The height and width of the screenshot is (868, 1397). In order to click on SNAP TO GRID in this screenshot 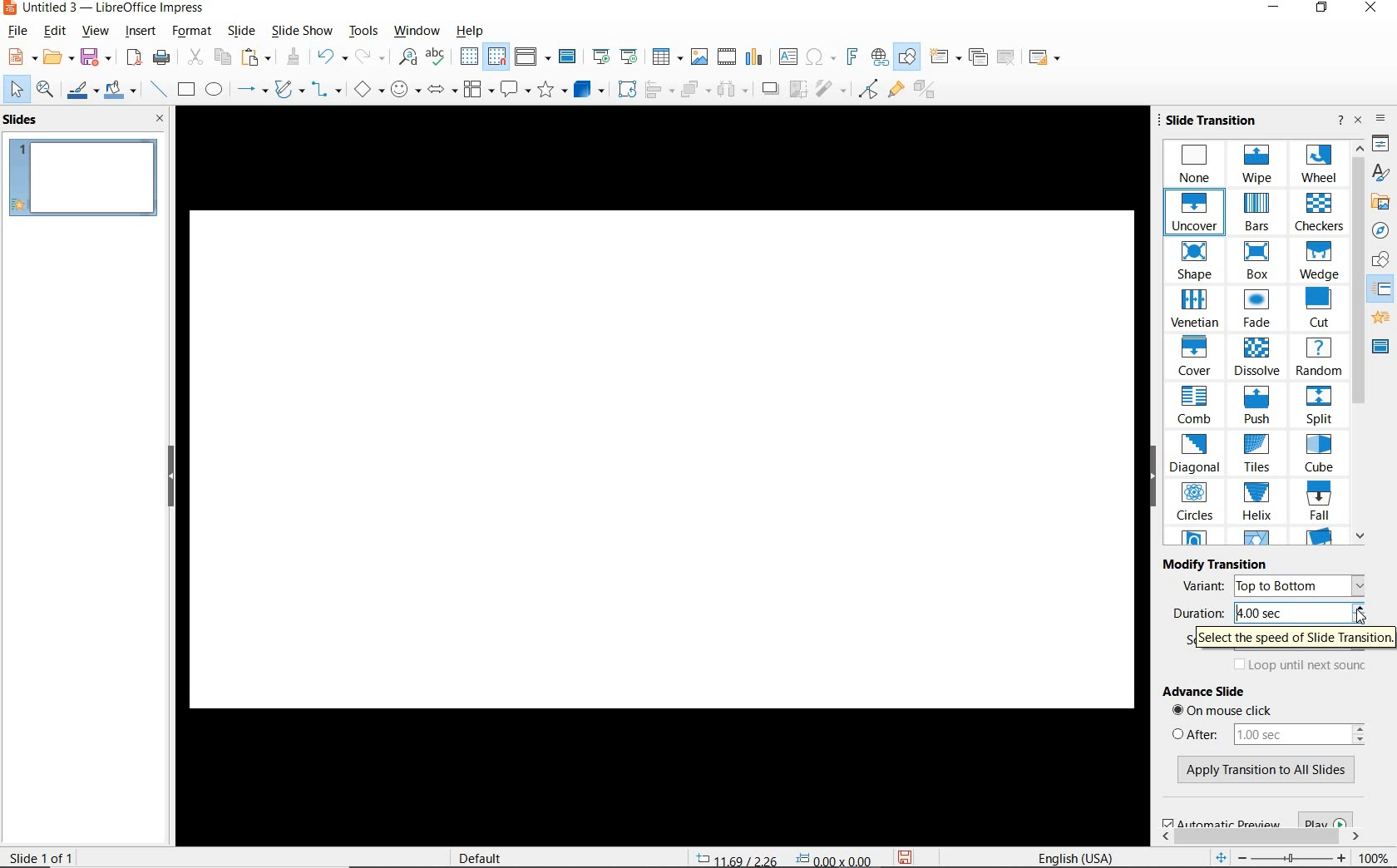, I will do `click(498, 56)`.